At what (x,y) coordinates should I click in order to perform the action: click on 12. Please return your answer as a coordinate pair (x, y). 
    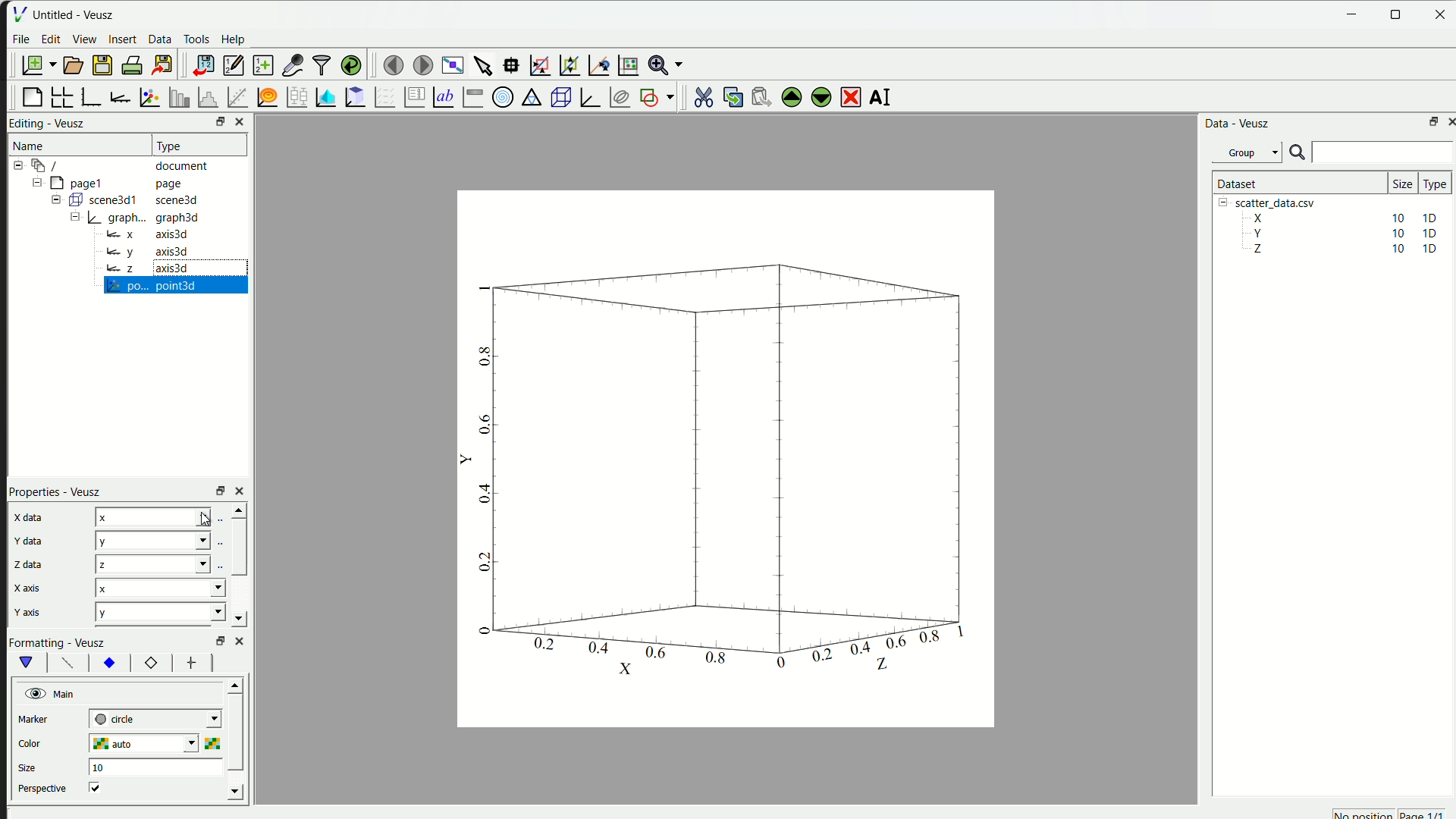
    Looking at the image, I should click on (146, 663).